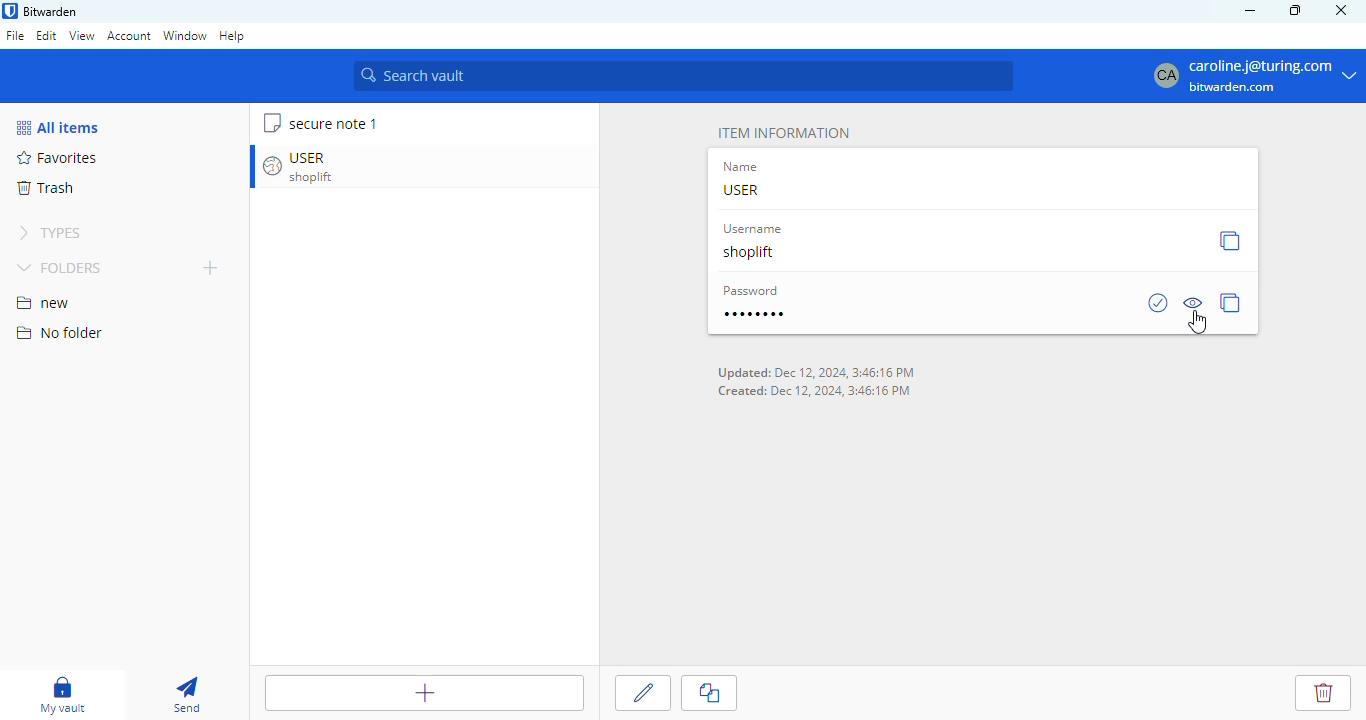 Image resolution: width=1366 pixels, height=720 pixels. Describe the element at coordinates (1341, 10) in the screenshot. I see `close` at that location.